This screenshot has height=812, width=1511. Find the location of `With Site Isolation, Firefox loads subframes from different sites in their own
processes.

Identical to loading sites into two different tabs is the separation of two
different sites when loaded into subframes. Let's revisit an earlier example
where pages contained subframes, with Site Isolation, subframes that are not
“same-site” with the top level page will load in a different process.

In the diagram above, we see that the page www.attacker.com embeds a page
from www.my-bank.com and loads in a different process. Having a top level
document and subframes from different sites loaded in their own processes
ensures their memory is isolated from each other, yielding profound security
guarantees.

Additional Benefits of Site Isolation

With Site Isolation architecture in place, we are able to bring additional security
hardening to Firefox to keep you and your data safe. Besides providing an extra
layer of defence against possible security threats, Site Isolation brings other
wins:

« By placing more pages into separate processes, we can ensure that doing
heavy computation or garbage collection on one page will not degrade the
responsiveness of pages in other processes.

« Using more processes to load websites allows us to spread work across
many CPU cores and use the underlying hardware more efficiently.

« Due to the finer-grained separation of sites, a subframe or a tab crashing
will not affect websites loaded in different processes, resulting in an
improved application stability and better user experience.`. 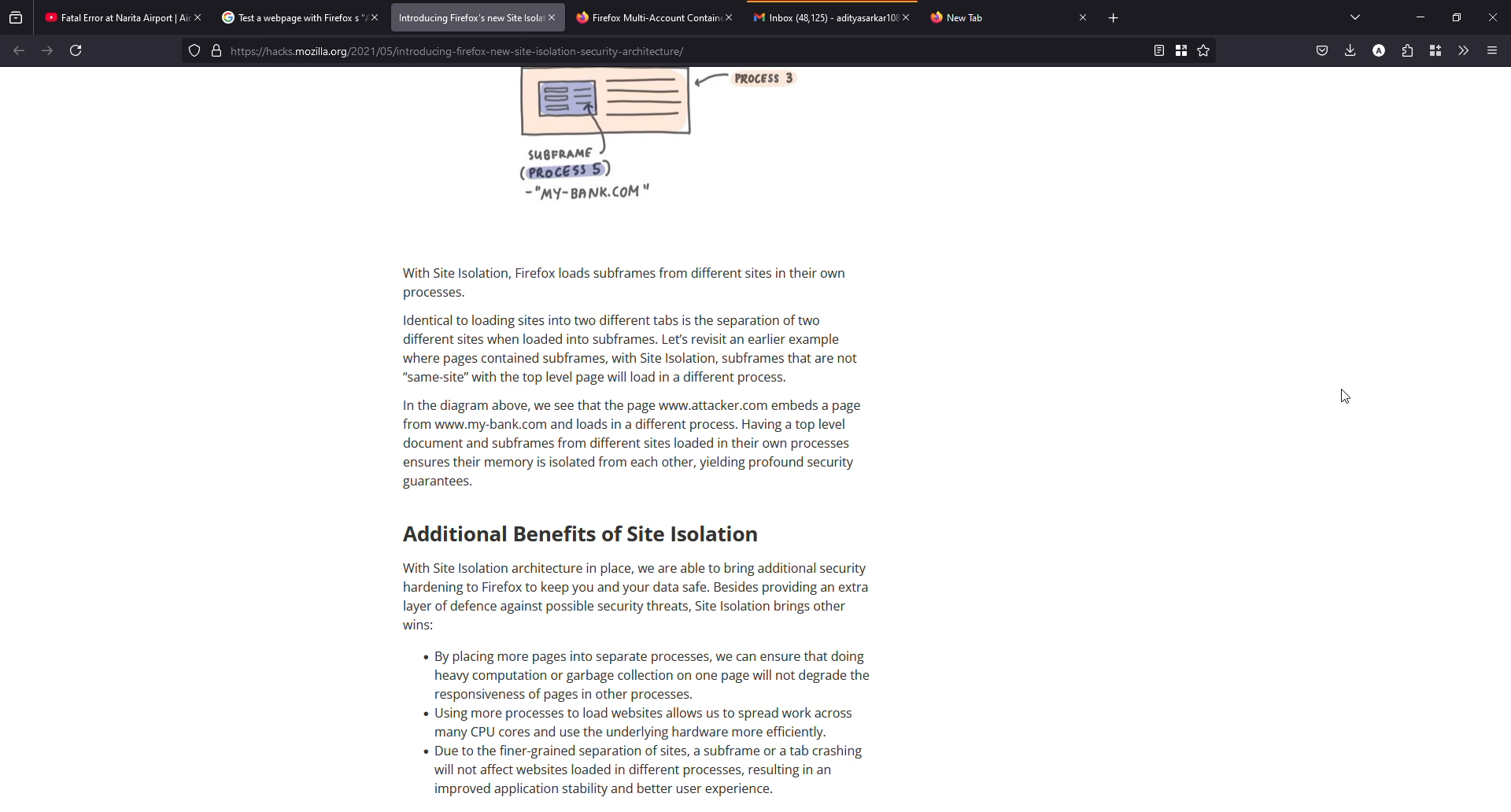

With Site Isolation, Firefox loads subframes from different sites in their own
processes.

Identical to loading sites into two different tabs is the separation of two
different sites when loaded into subframes. Let's revisit an earlier example
where pages contained subframes, with Site Isolation, subframes that are not
“same-site” with the top level page will load in a different process.

In the diagram above, we see that the page www.attacker.com embeds a page
from www.my-bank.com and loads in a different process. Having a top level
document and subframes from different sites loaded in their own processes
ensures their memory is isolated from each other, yielding profound security
guarantees.

Additional Benefits of Site Isolation

With Site Isolation architecture in place, we are able to bring additional security
hardening to Firefox to keep you and your data safe. Besides providing an extra
layer of defence against possible security threats, Site Isolation brings other
wins:

« By placing more pages into separate processes, we can ensure that doing
heavy computation or garbage collection on one page will not degrade the
responsiveness of pages in other processes.

« Using more processes to load websites allows us to spread work across
many CPU cores and use the underlying hardware more efficiently.

« Due to the finer-grained separation of sites, a subframe or a tab crashing
will not affect websites loaded in different processes, resulting in an
improved application stability and better user experience. is located at coordinates (678, 534).